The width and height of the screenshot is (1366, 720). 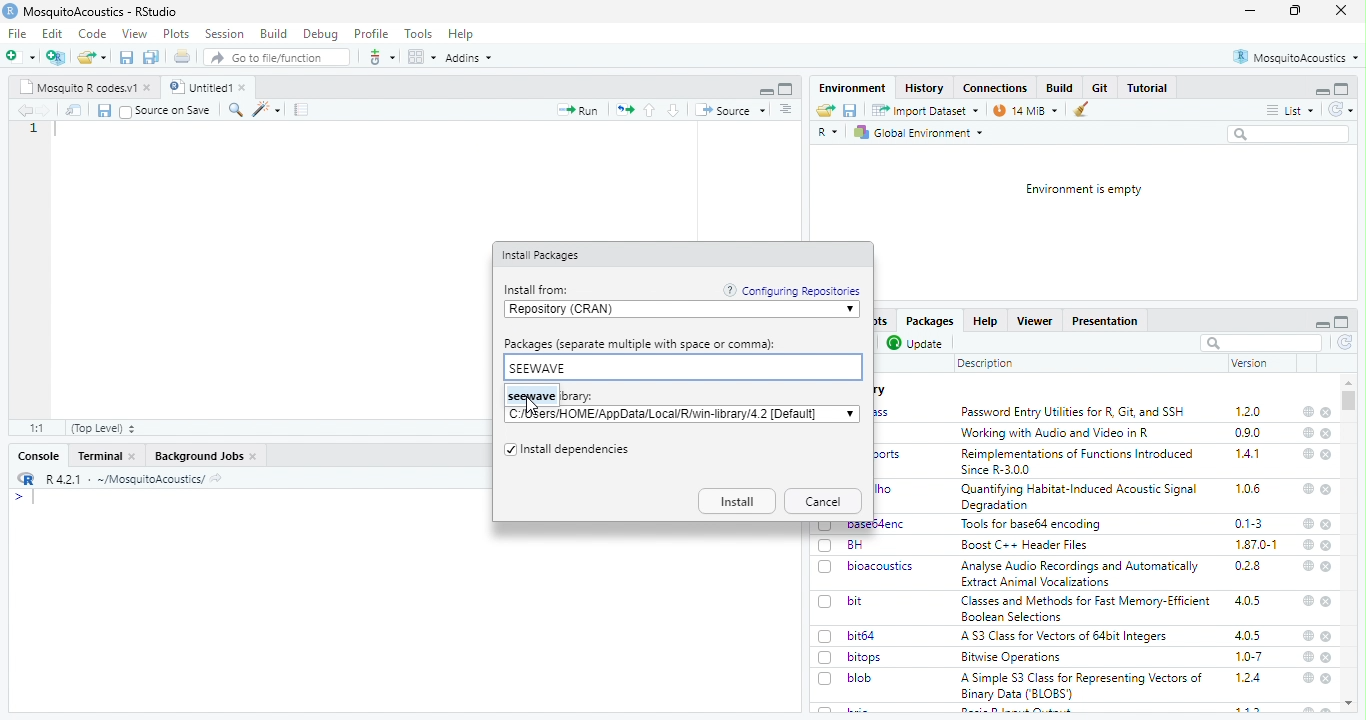 What do you see at coordinates (421, 57) in the screenshot?
I see `grid` at bounding box center [421, 57].